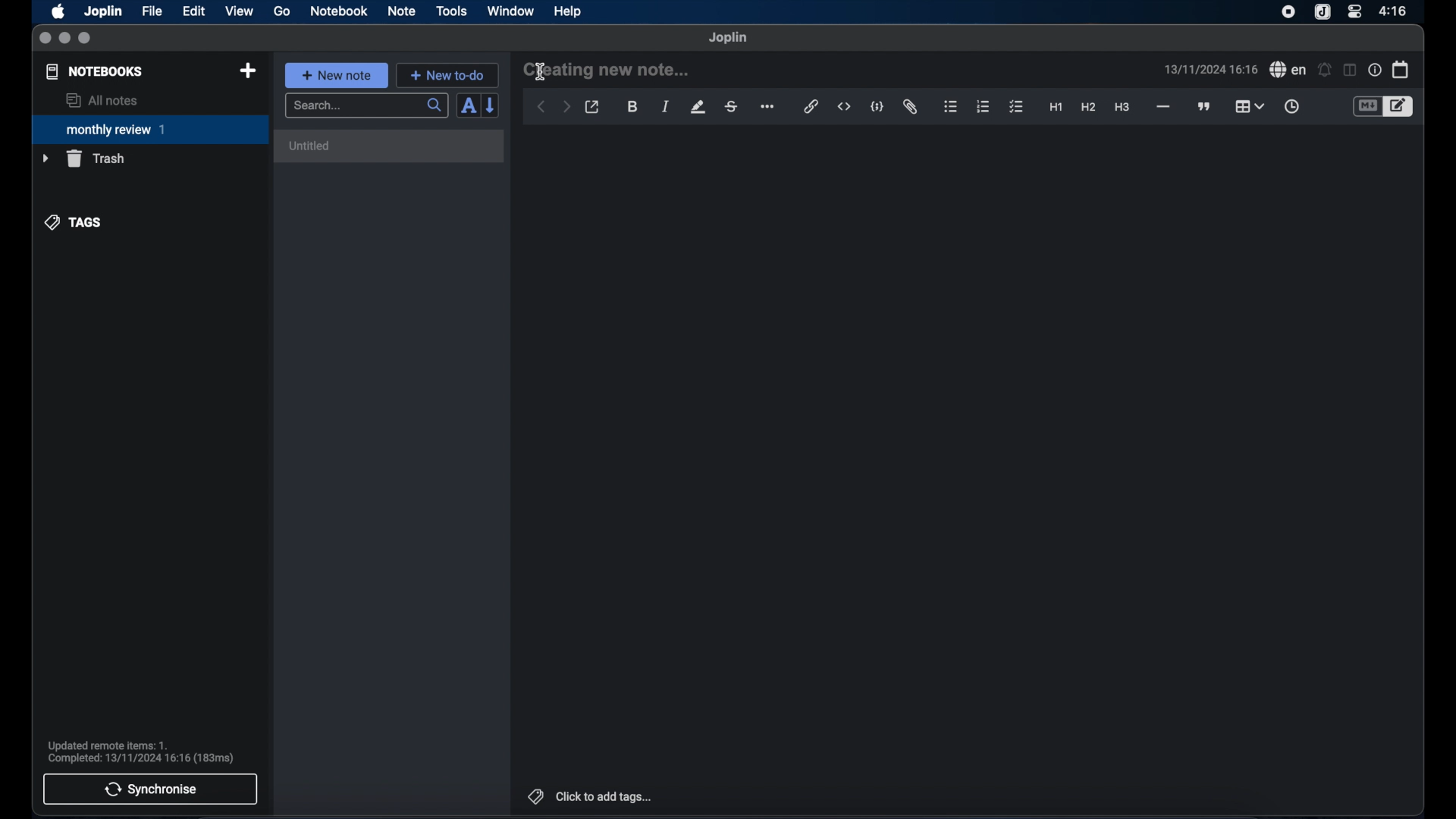  I want to click on creating new note, so click(607, 69).